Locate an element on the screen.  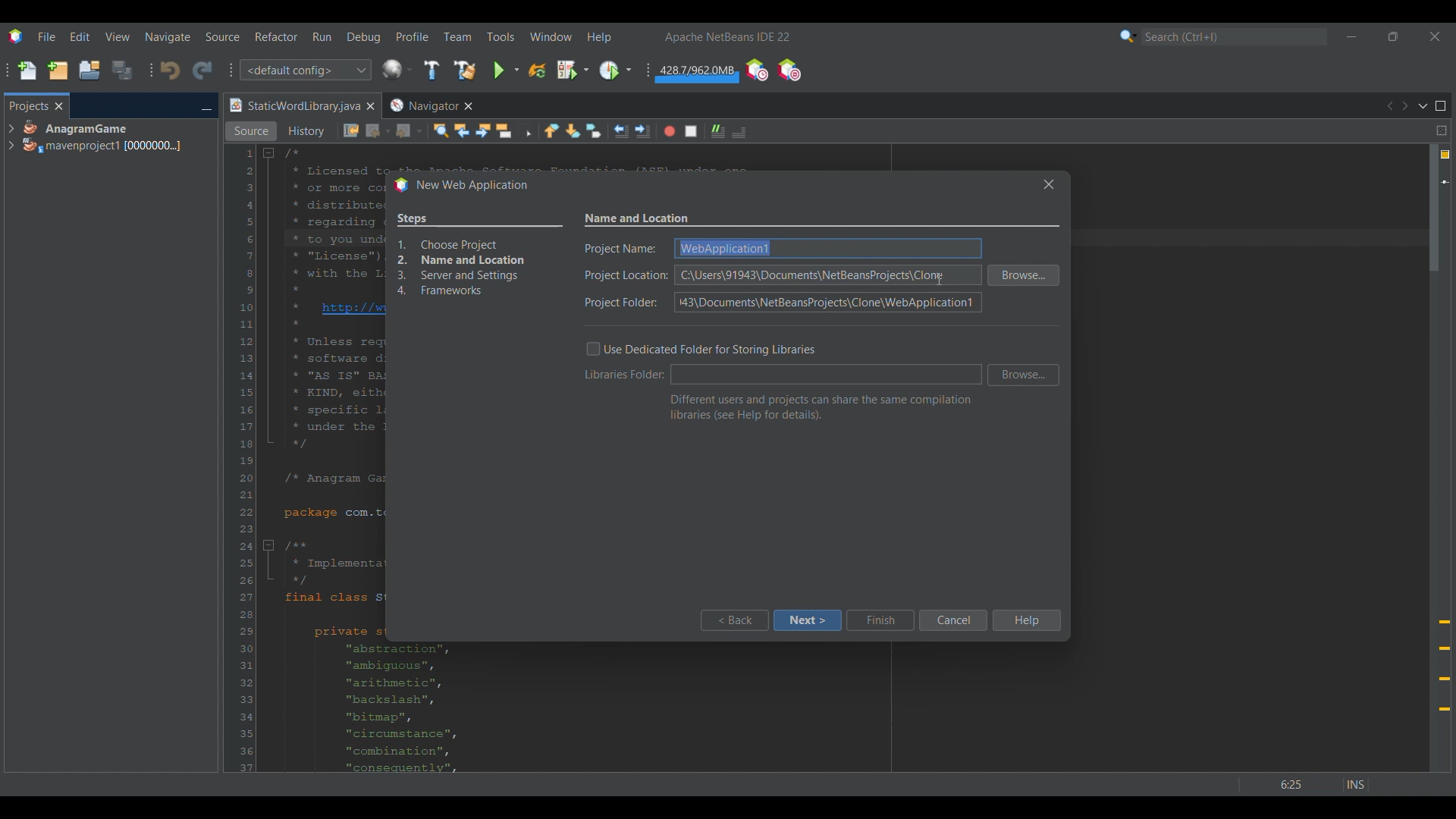
 is located at coordinates (1045, 184).